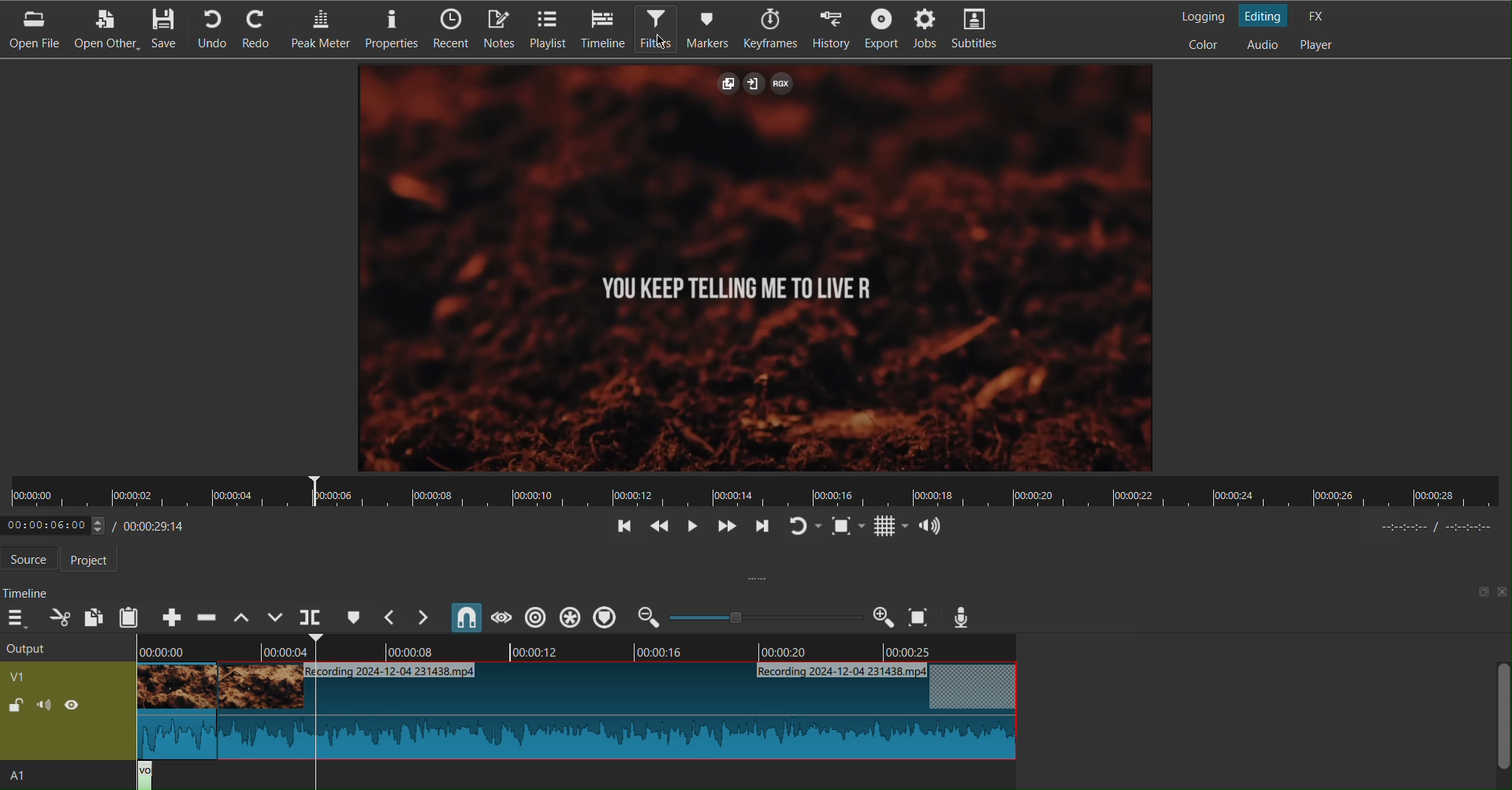  Describe the element at coordinates (1206, 45) in the screenshot. I see `Color` at that location.